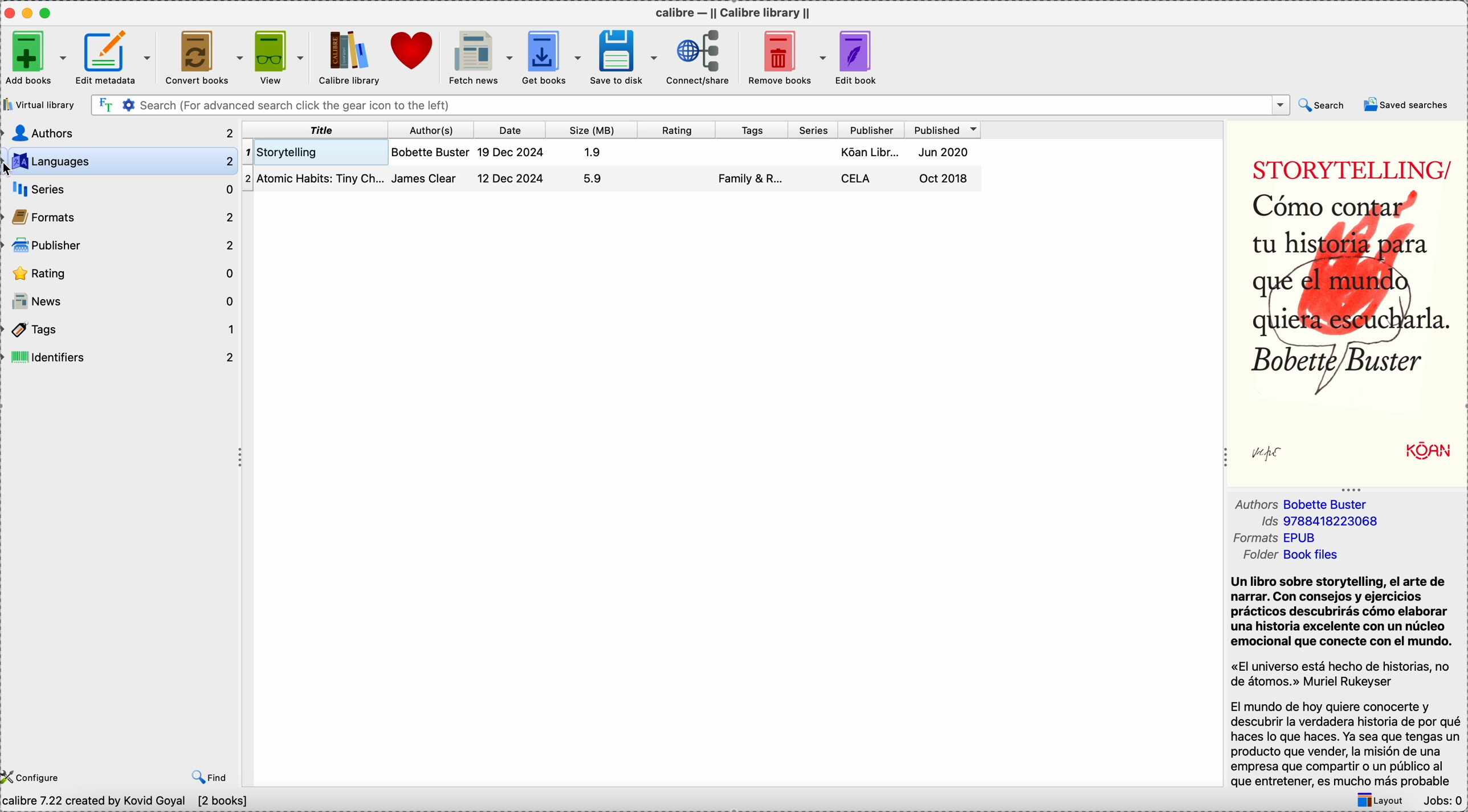  What do you see at coordinates (591, 130) in the screenshot?
I see `size` at bounding box center [591, 130].